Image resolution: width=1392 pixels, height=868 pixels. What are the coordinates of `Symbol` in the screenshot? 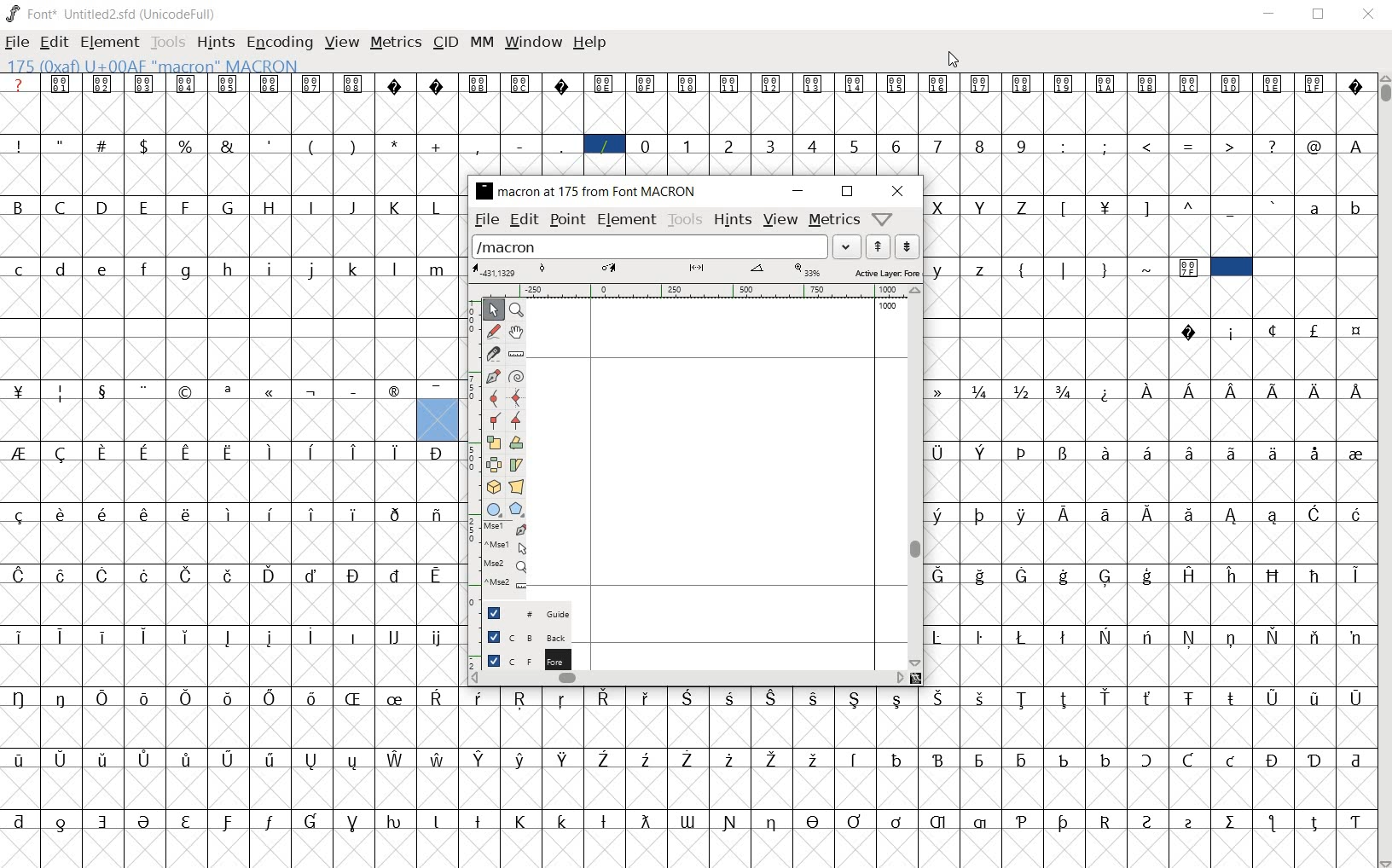 It's located at (481, 697).